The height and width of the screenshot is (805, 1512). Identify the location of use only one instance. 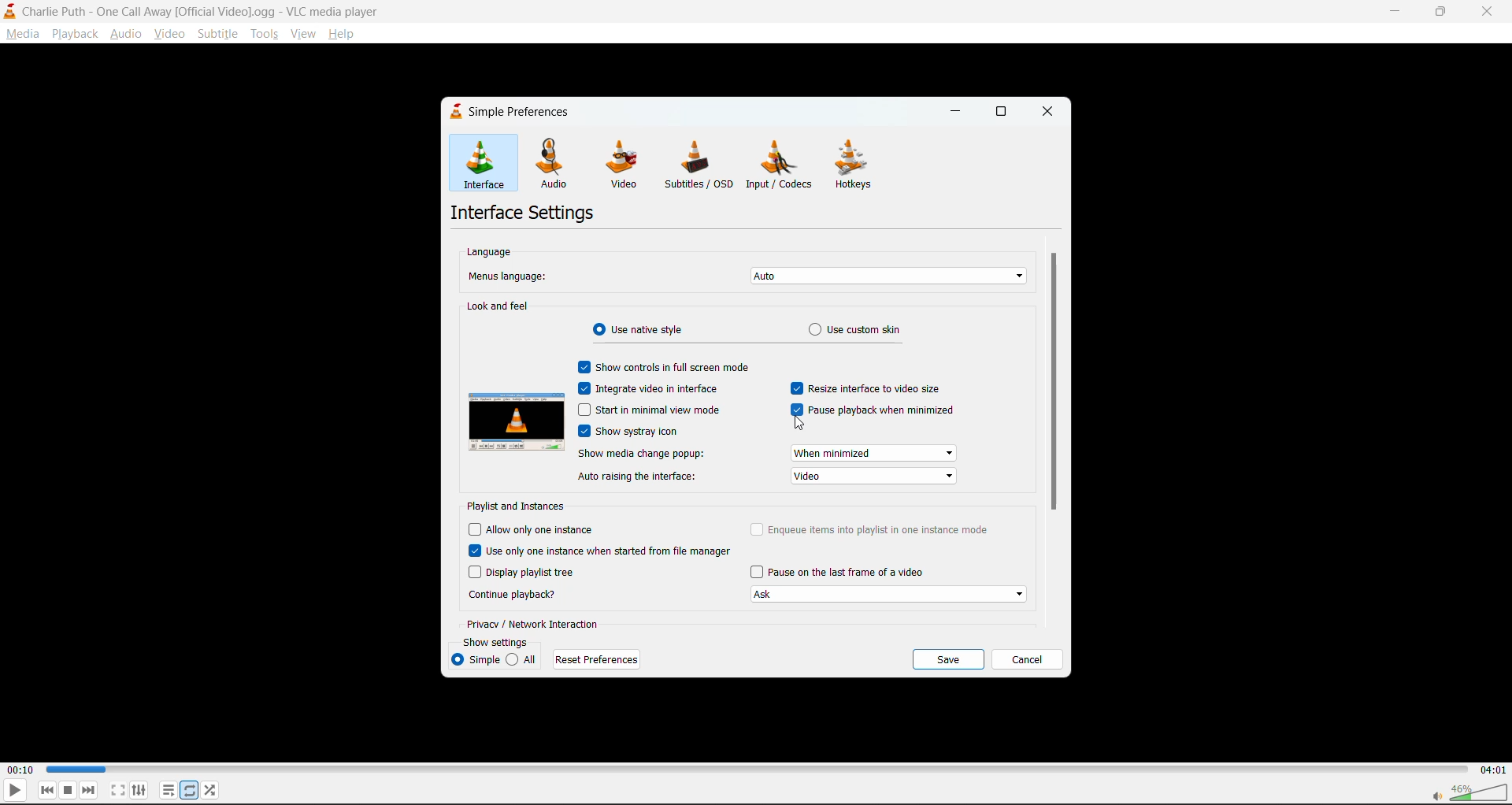
(610, 553).